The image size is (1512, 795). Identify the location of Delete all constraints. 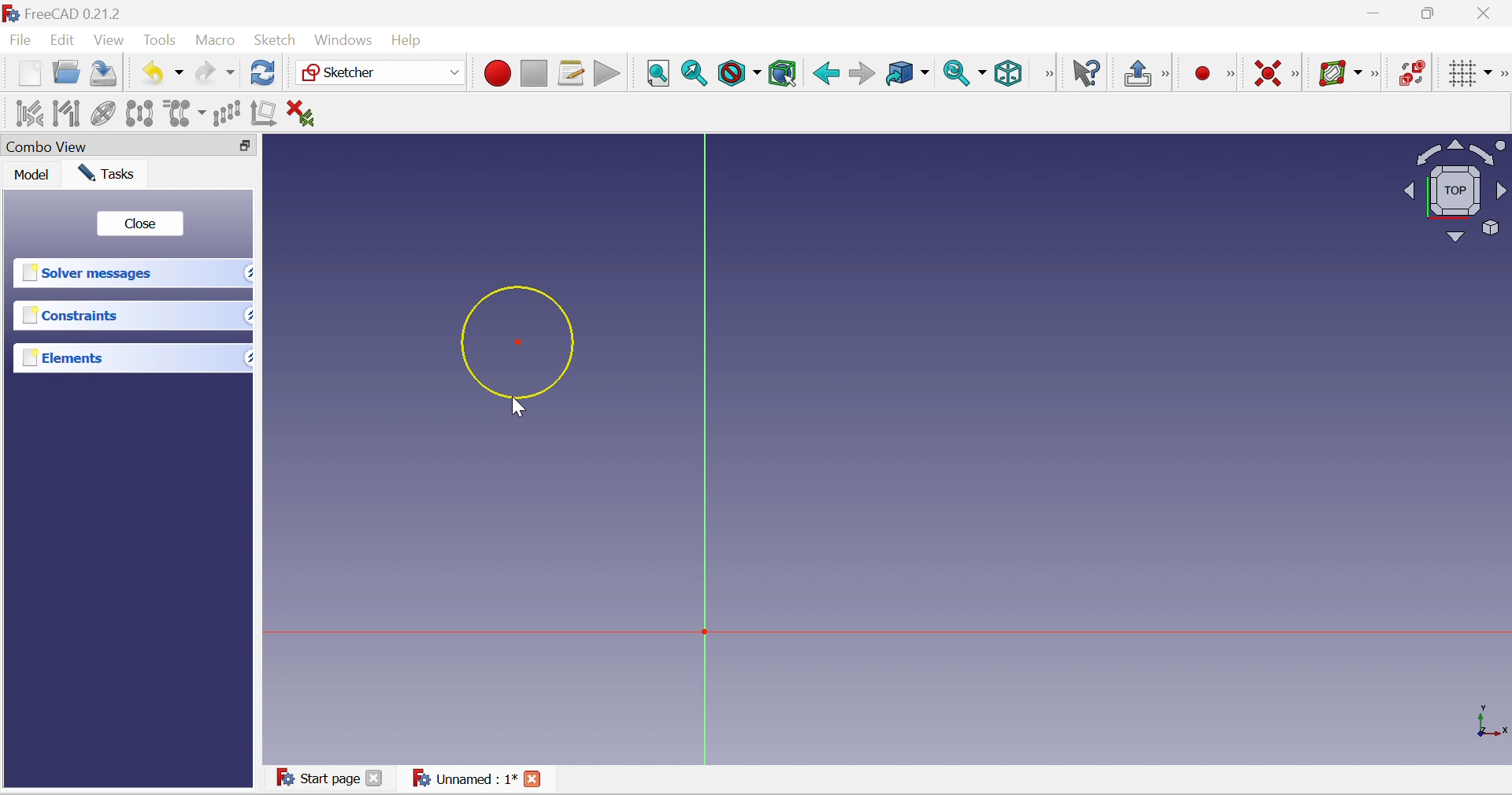
(302, 113).